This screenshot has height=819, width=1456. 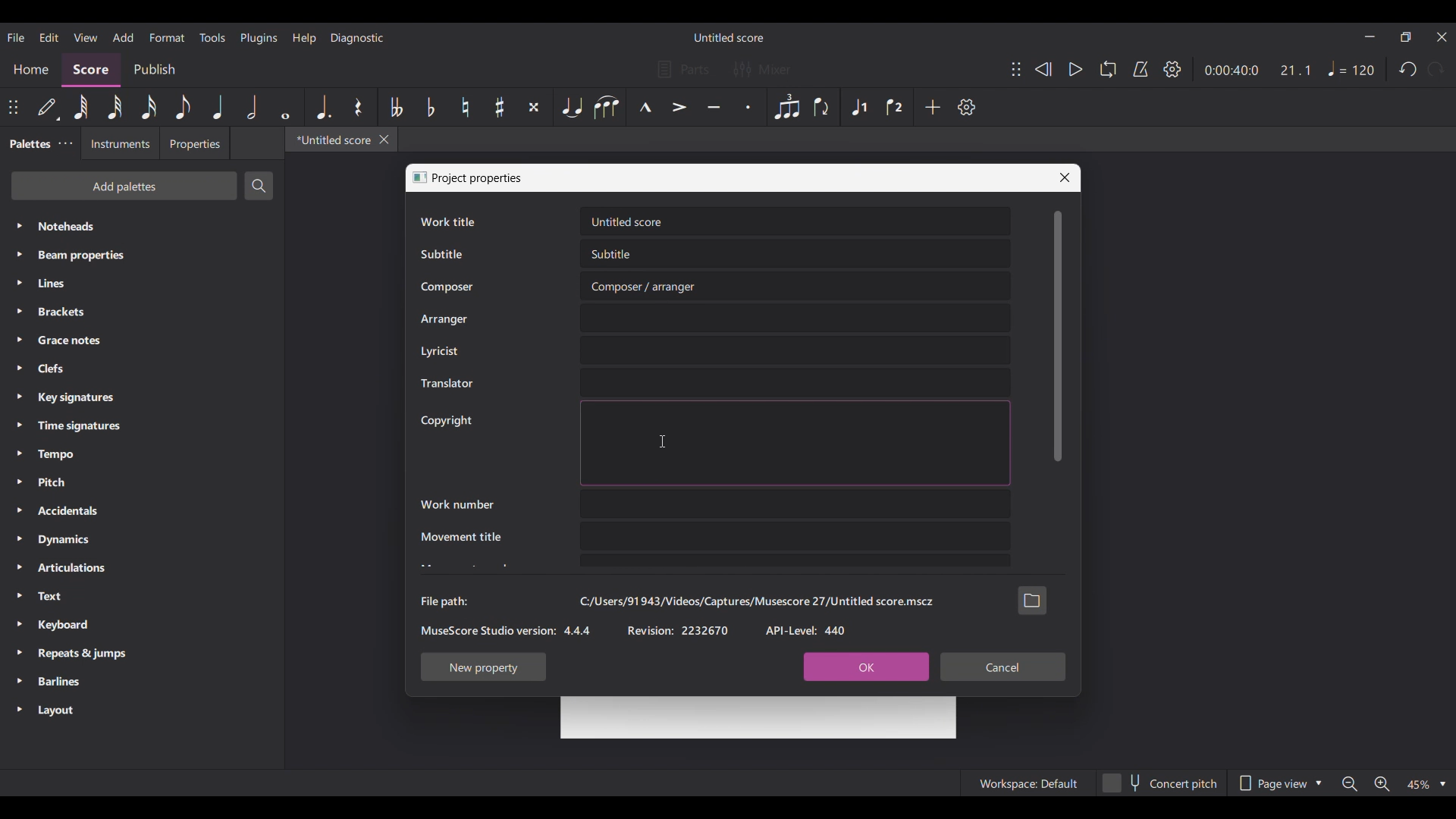 I want to click on Publish section, so click(x=154, y=71).